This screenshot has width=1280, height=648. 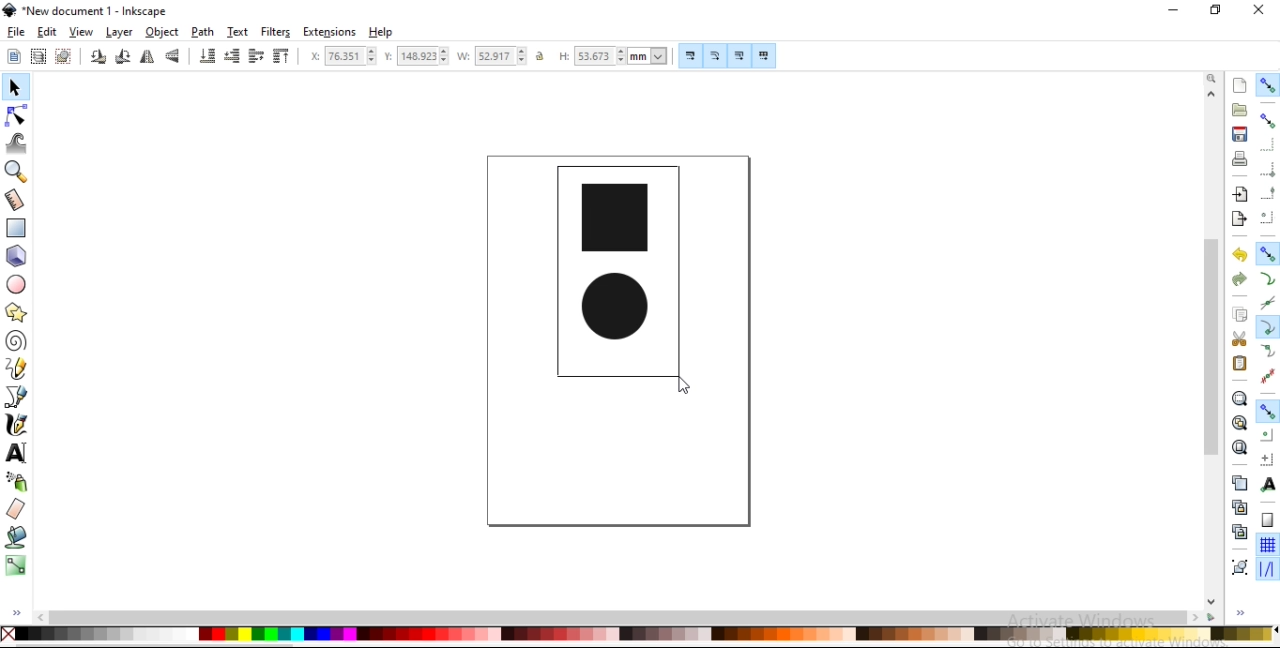 What do you see at coordinates (14, 340) in the screenshot?
I see `create spiral ` at bounding box center [14, 340].